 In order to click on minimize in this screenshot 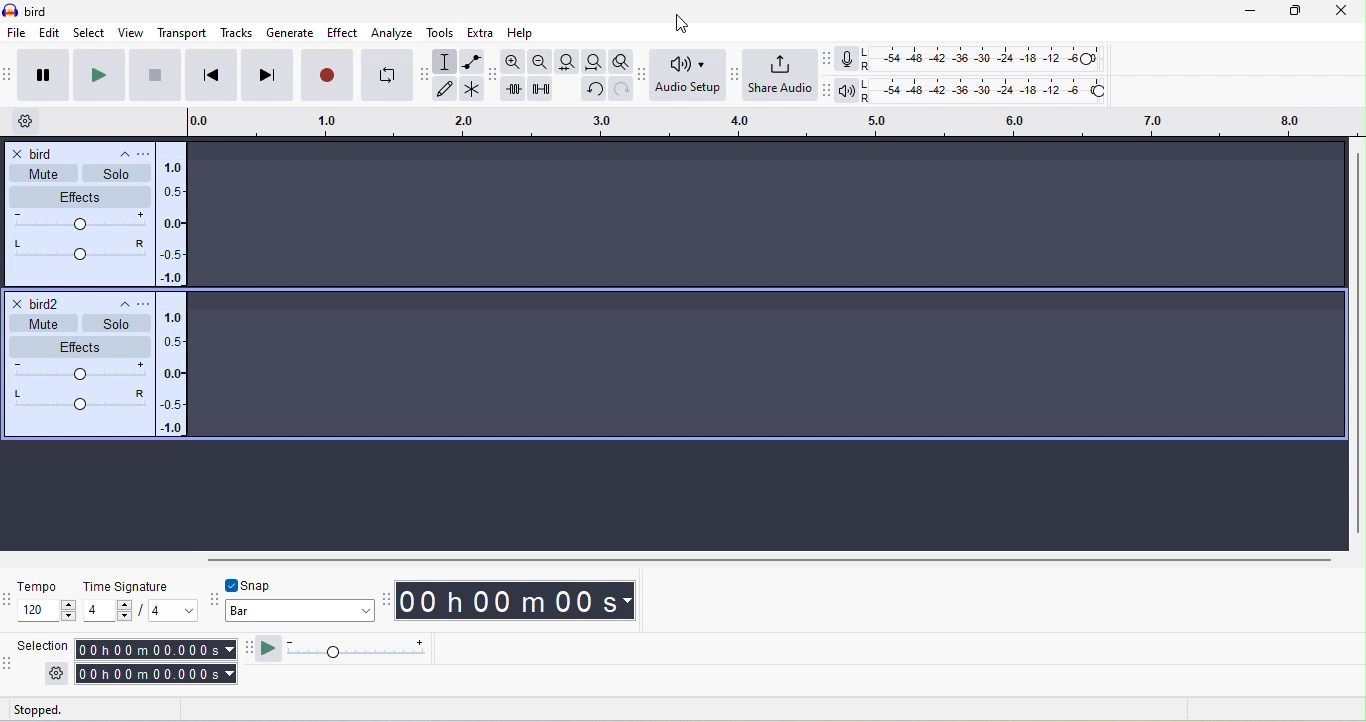, I will do `click(1251, 12)`.